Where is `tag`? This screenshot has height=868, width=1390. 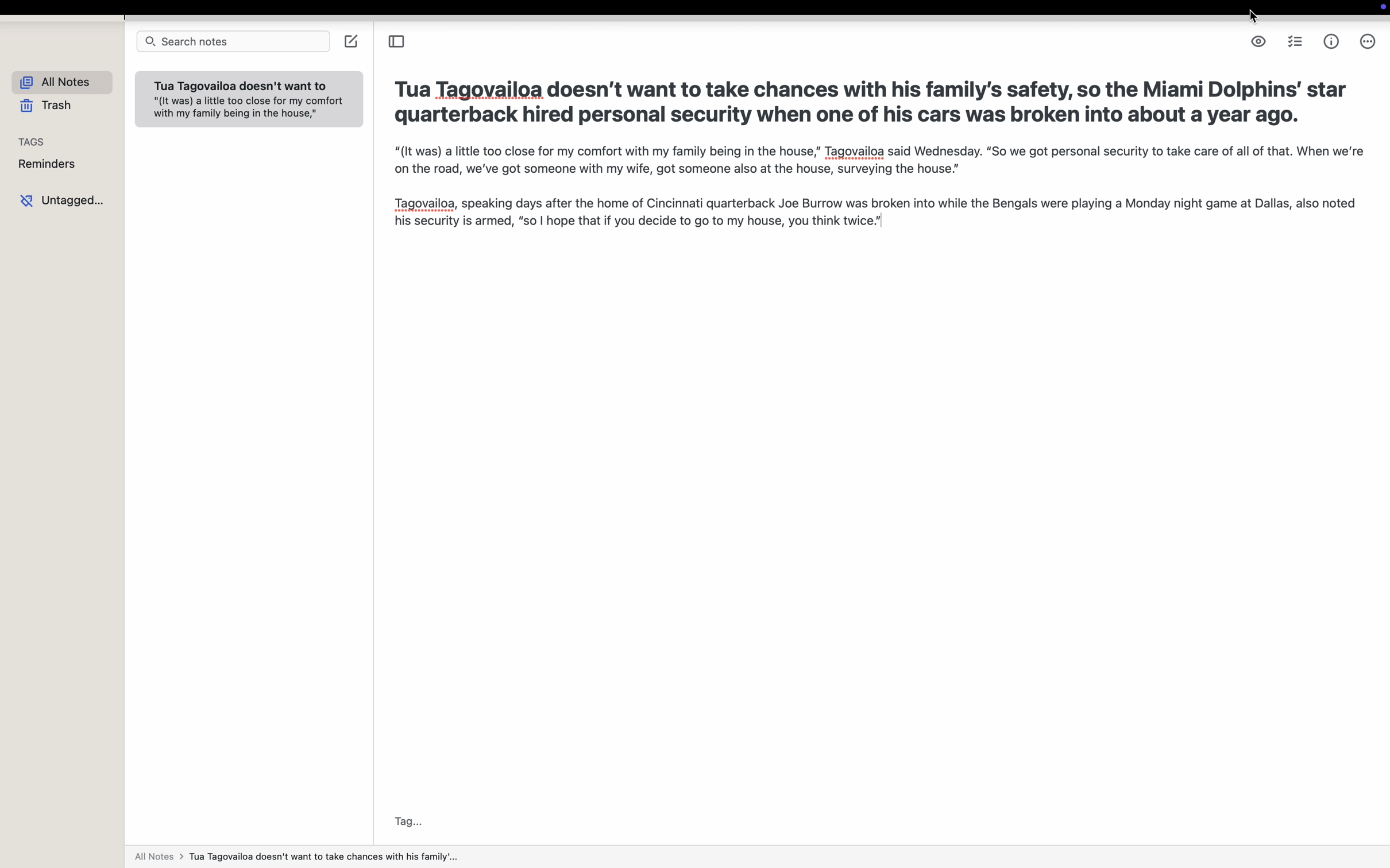 tag is located at coordinates (407, 819).